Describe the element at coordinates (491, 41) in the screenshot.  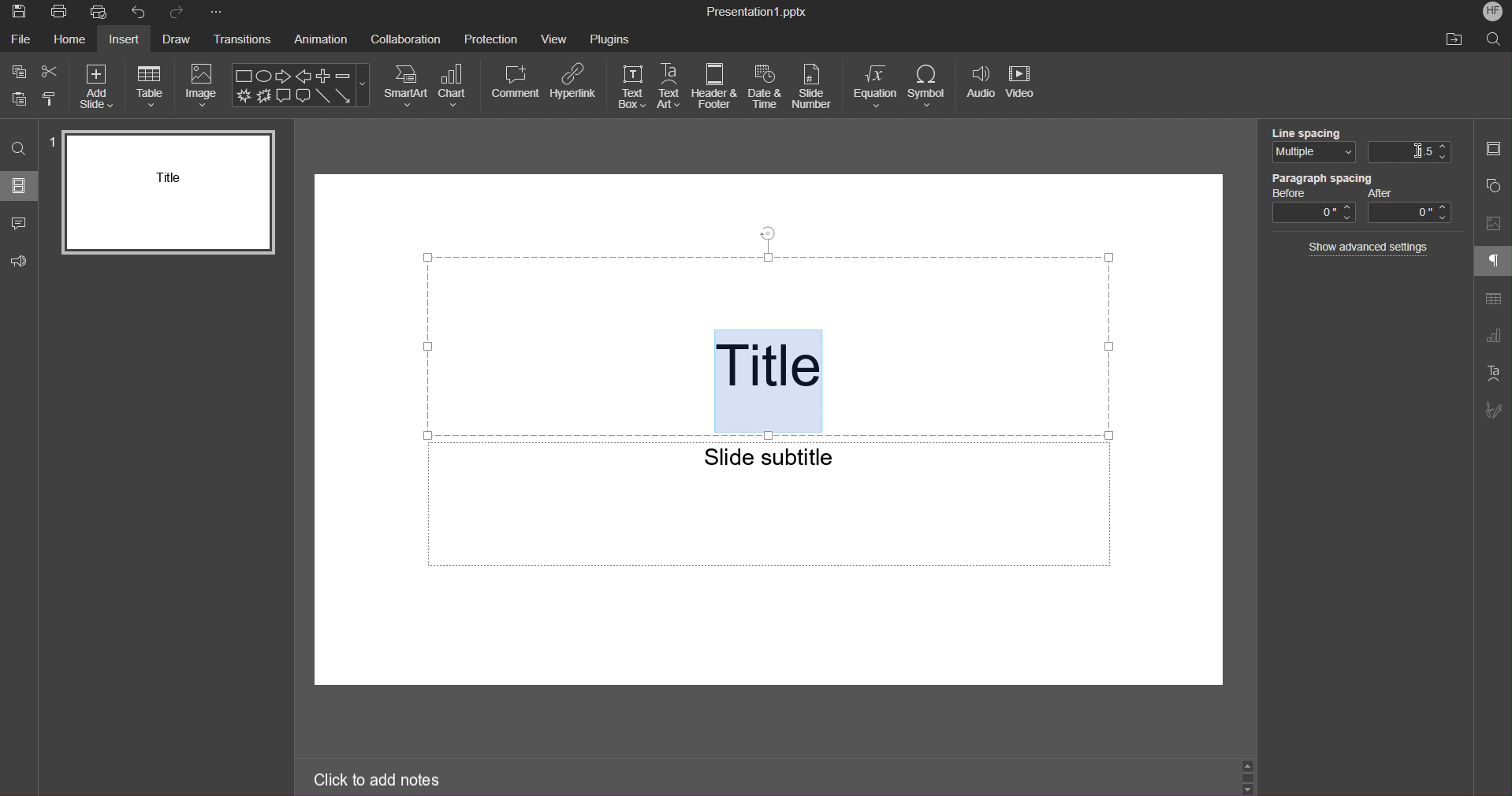
I see `Protection` at that location.